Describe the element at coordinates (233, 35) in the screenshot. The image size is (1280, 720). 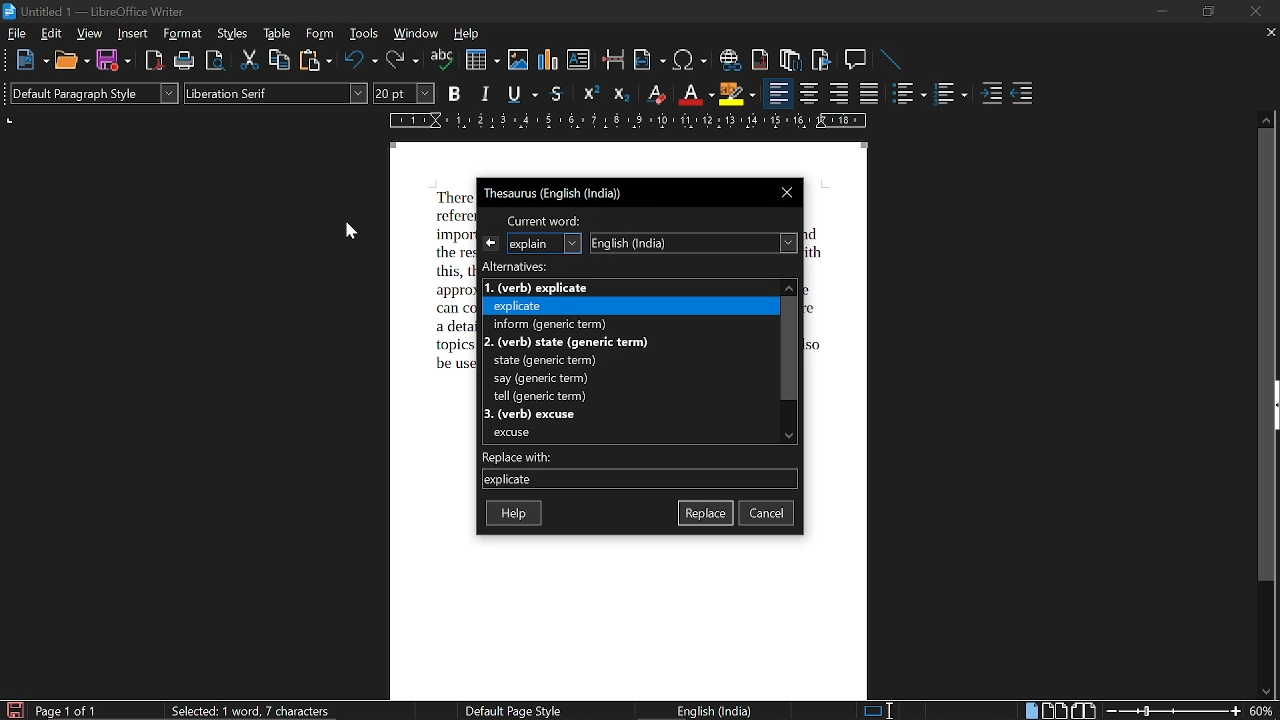
I see `styles` at that location.